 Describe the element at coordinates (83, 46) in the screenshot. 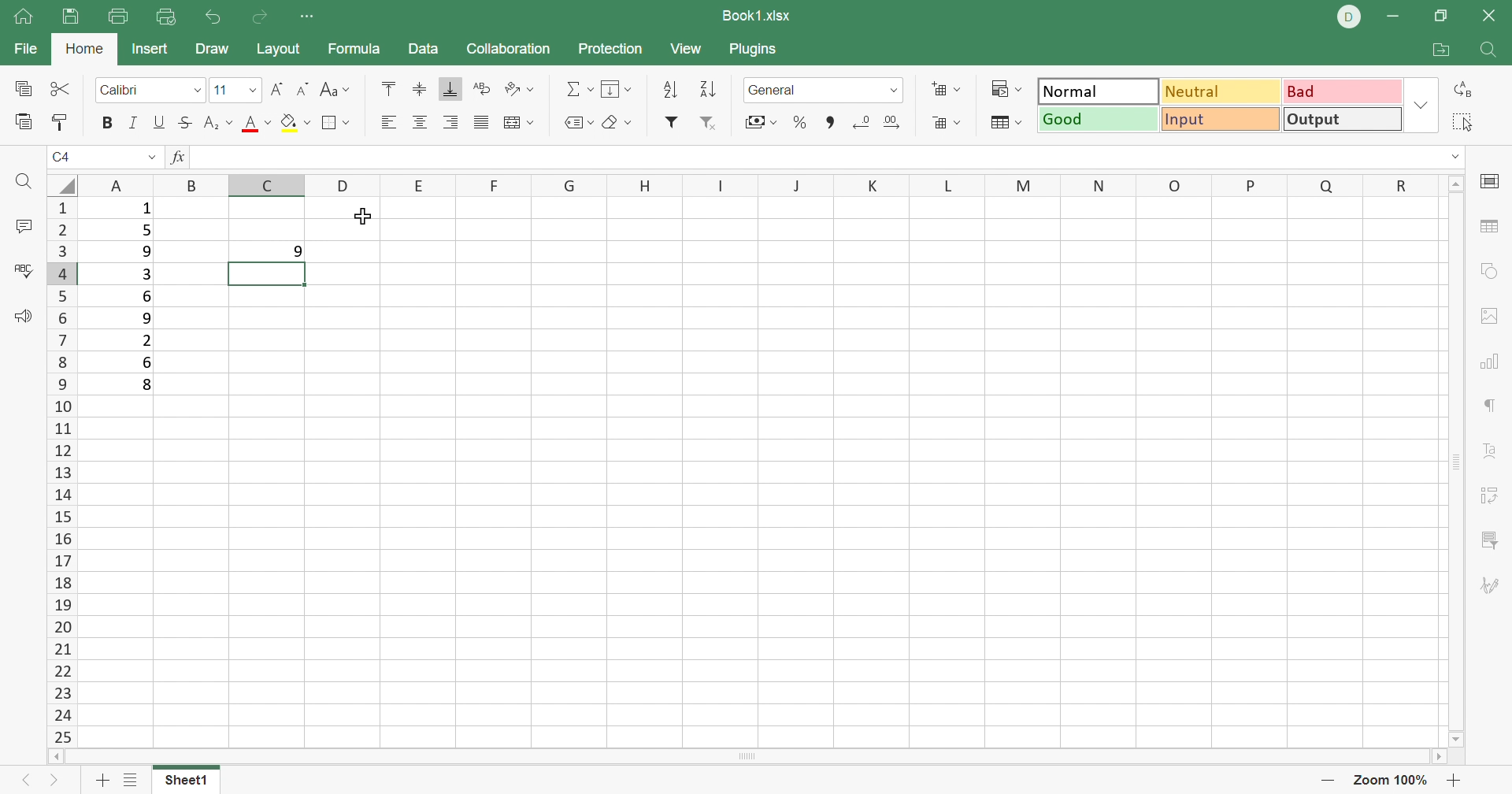

I see `Home` at that location.